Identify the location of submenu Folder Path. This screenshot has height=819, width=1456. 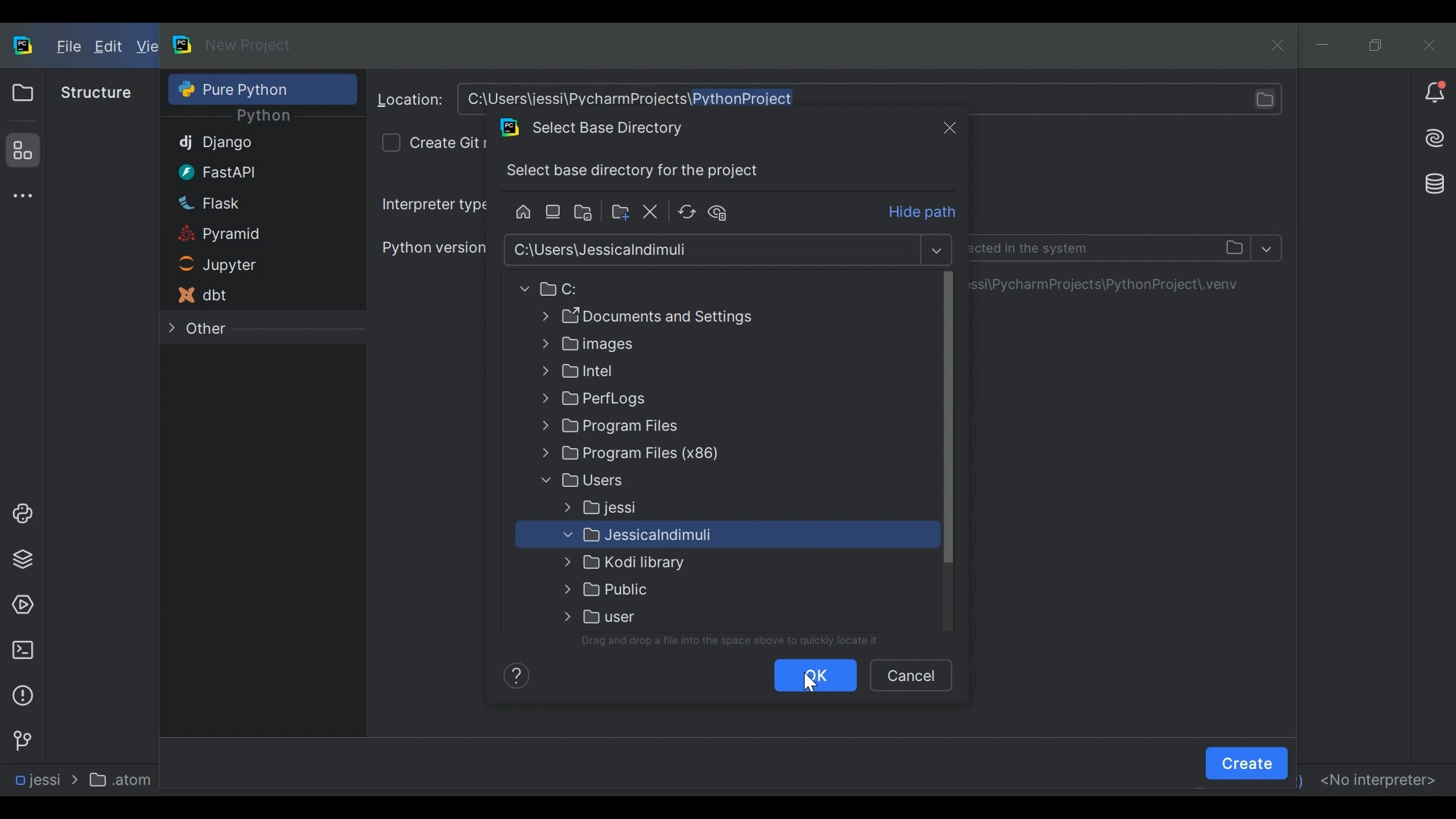
(668, 564).